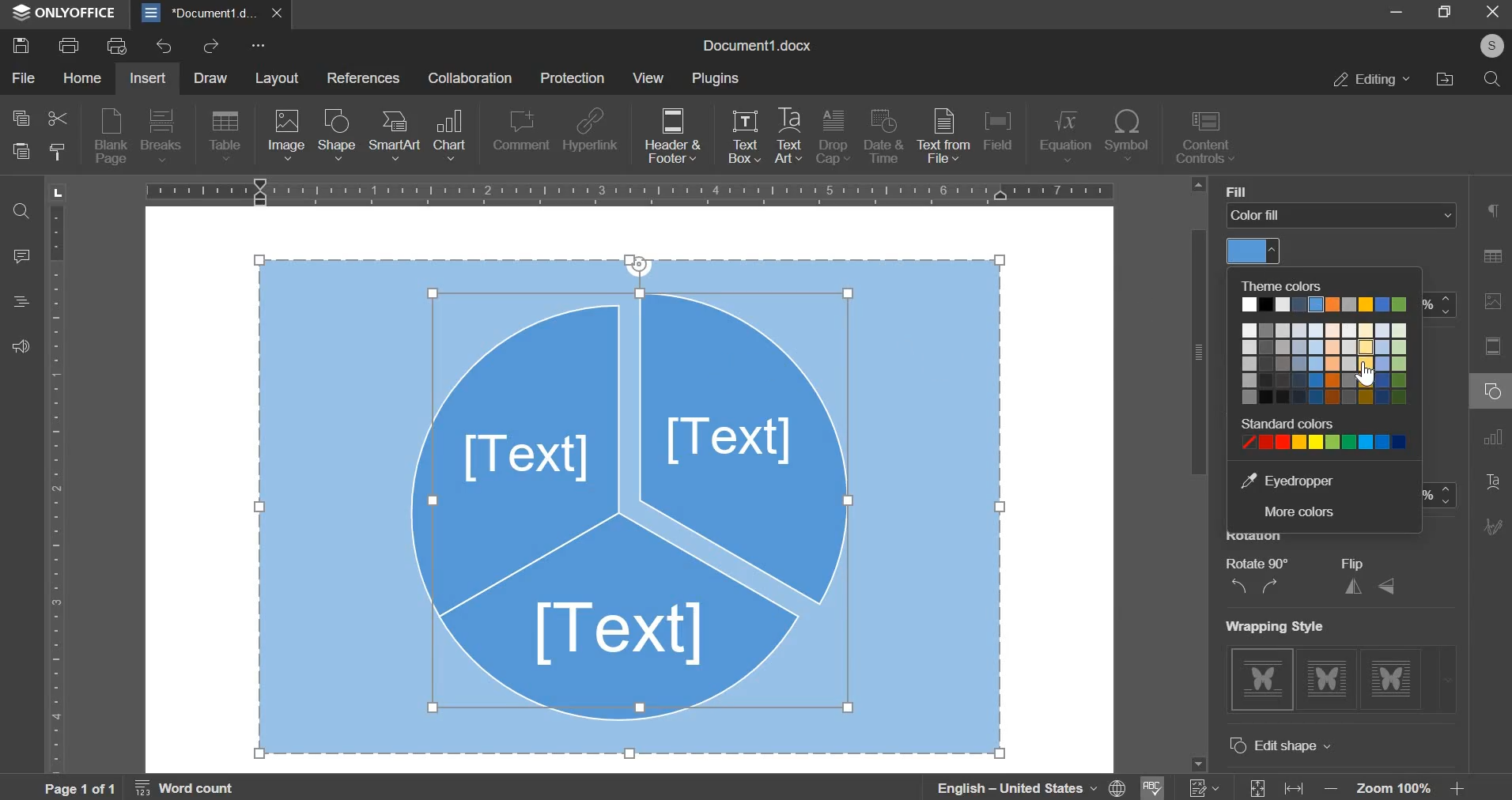  What do you see at coordinates (1344, 216) in the screenshot?
I see `fill select` at bounding box center [1344, 216].